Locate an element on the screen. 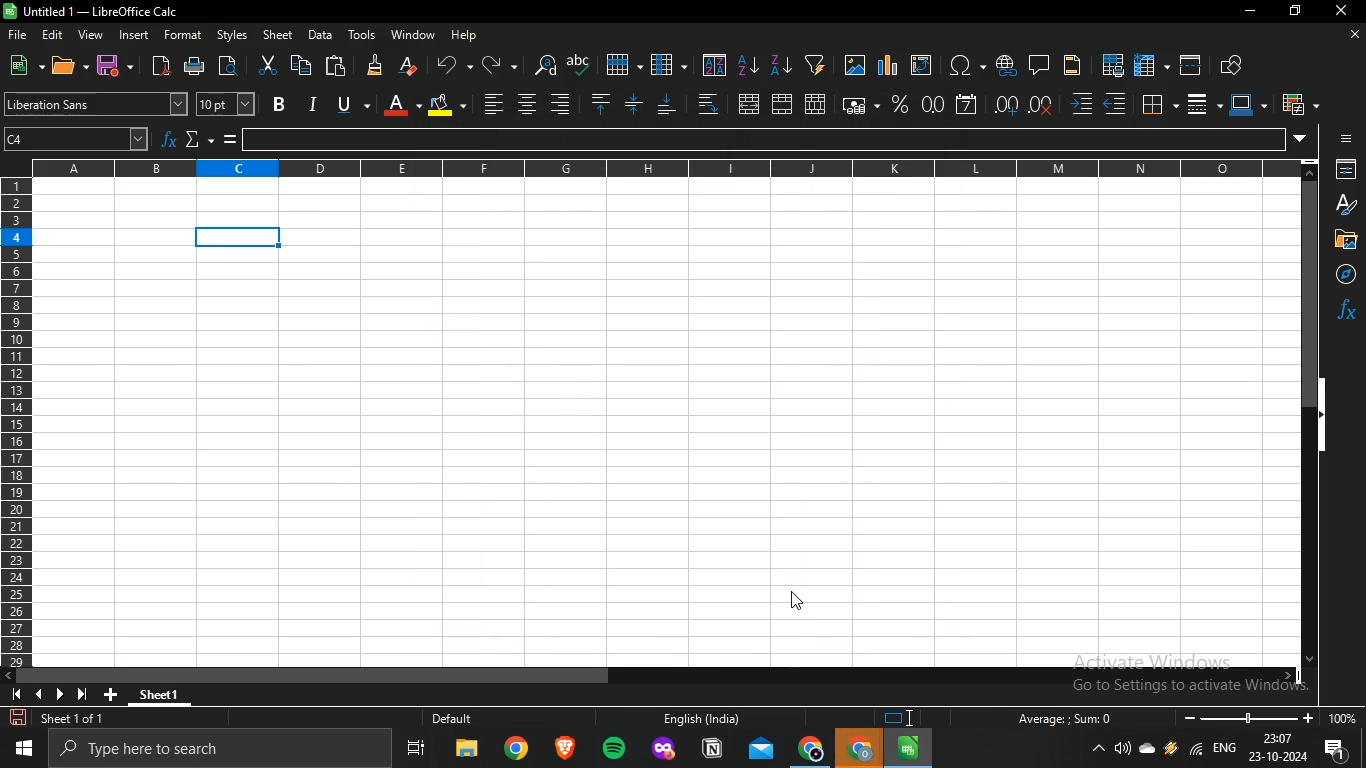  insert hyperlink is located at coordinates (1005, 65).